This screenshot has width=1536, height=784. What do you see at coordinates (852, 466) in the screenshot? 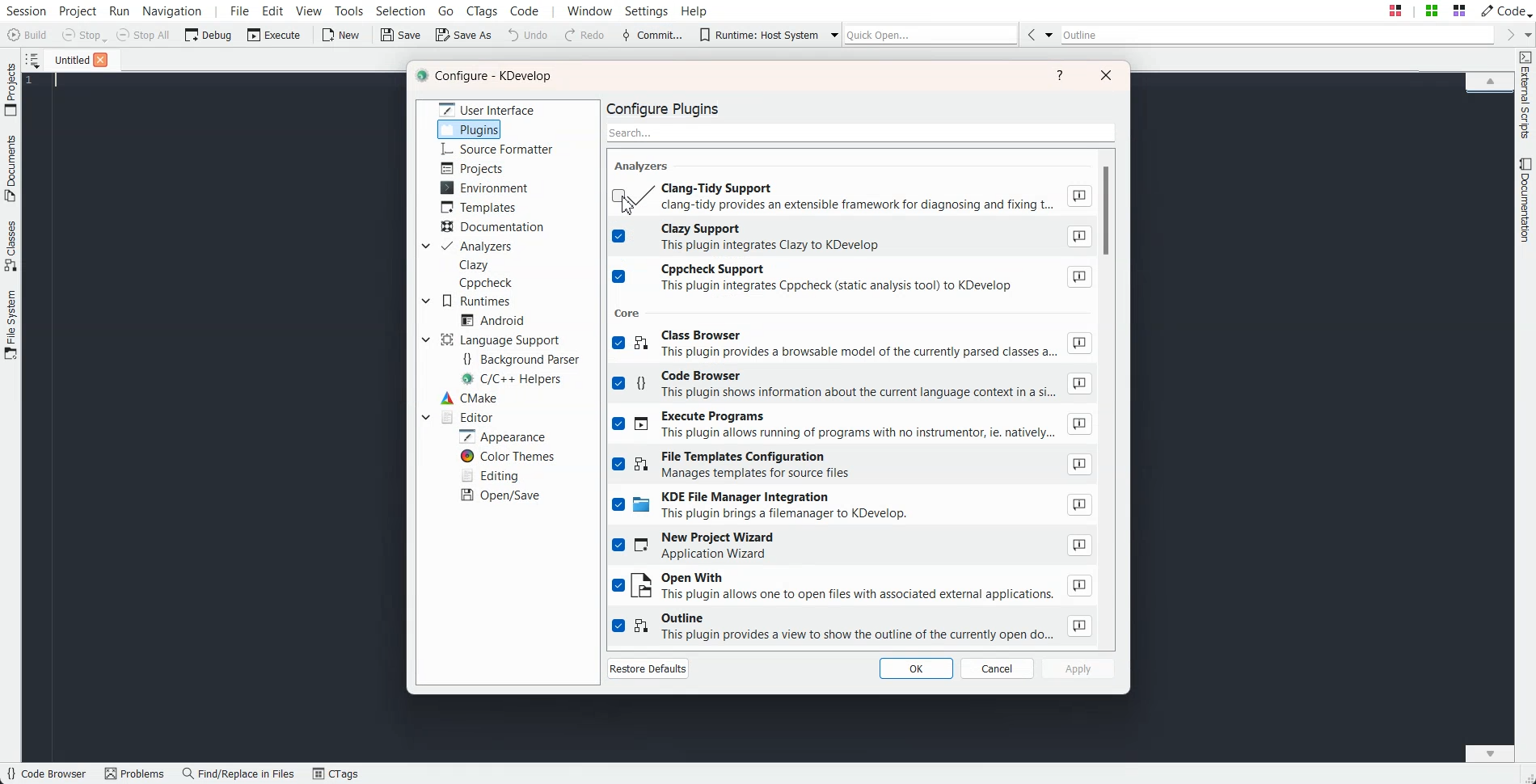
I see `Enable File Template Configuration` at bounding box center [852, 466].